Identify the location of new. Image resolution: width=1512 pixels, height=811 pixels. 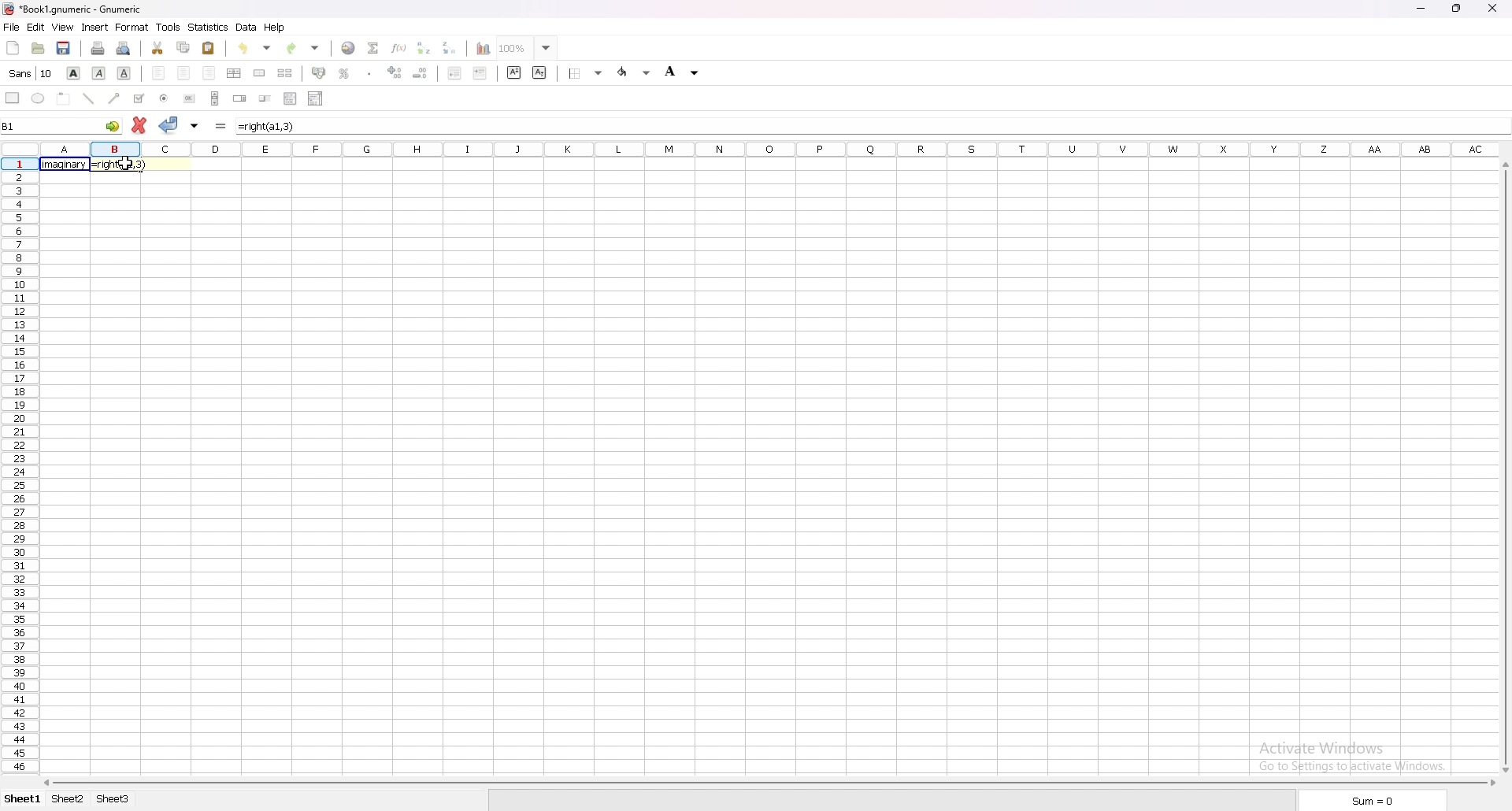
(13, 46).